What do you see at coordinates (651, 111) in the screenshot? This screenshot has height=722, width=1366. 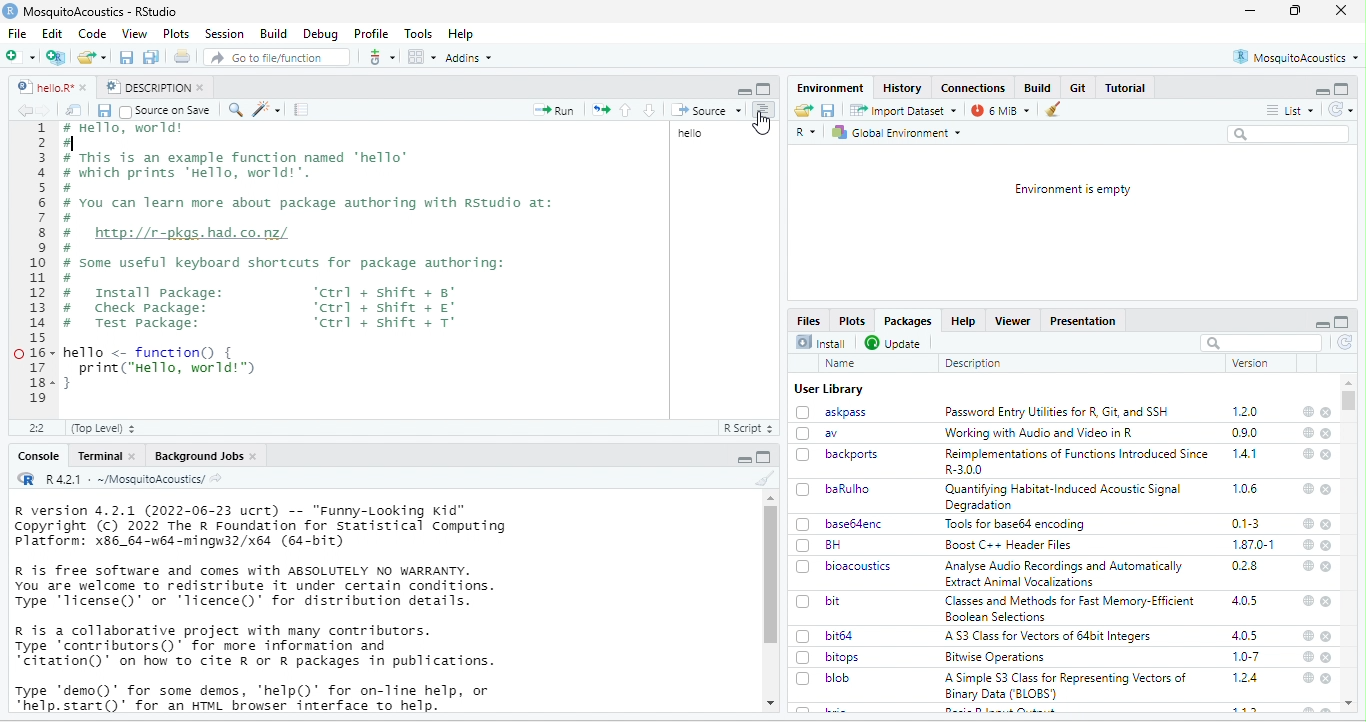 I see `go to next section` at bounding box center [651, 111].